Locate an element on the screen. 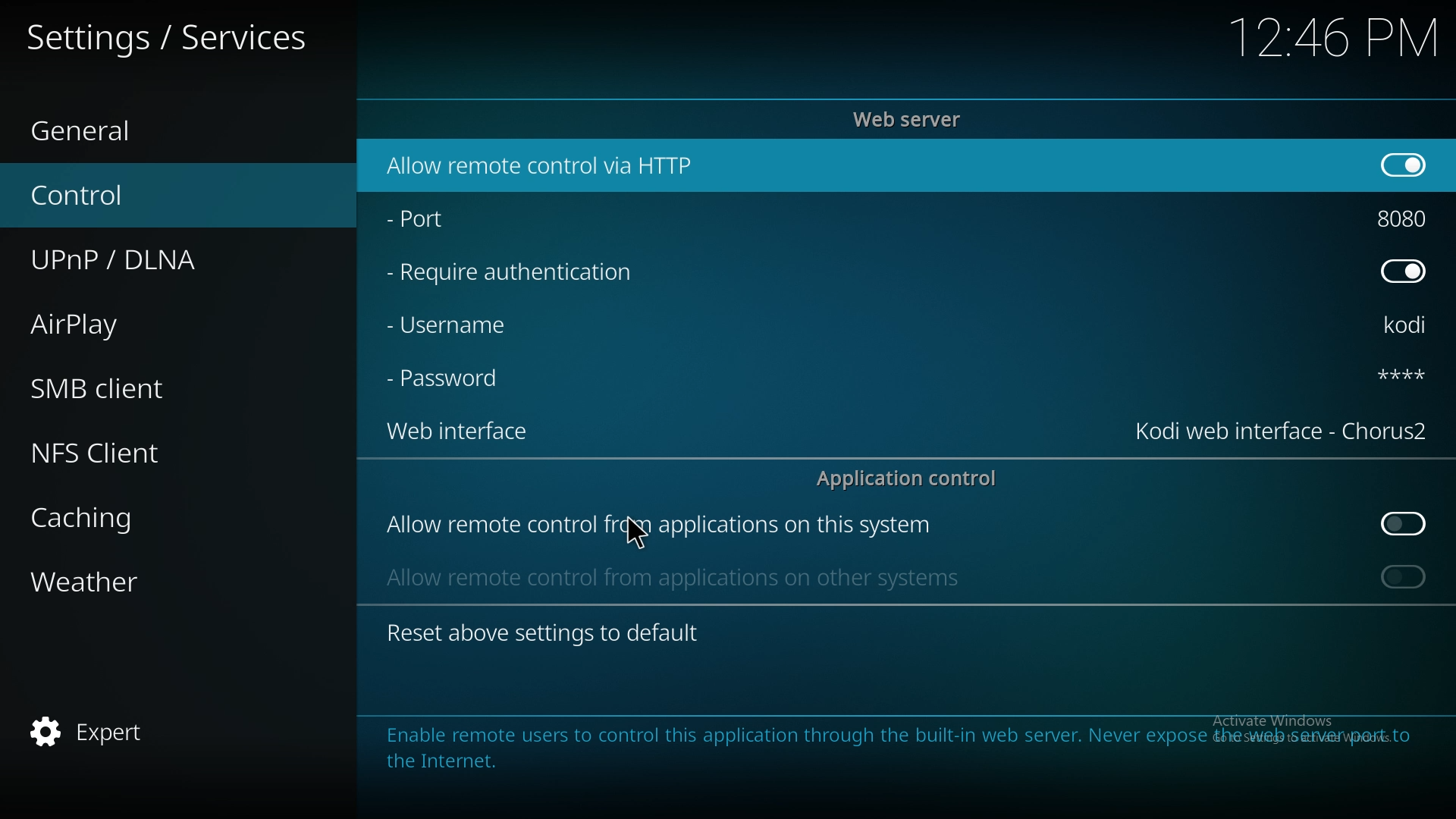 The image size is (1456, 819). web interface is located at coordinates (1282, 428).